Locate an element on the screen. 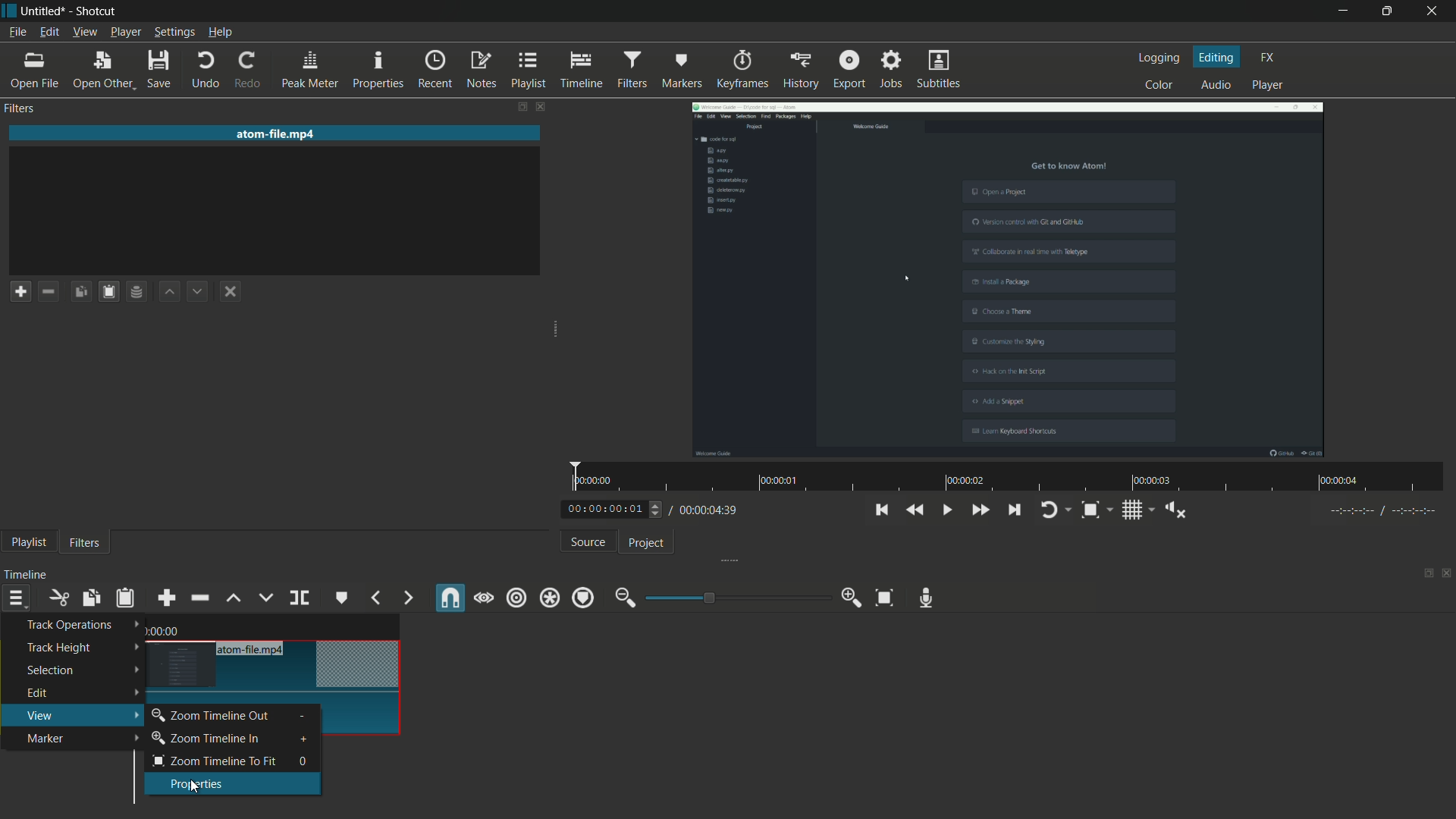  project is located at coordinates (647, 543).